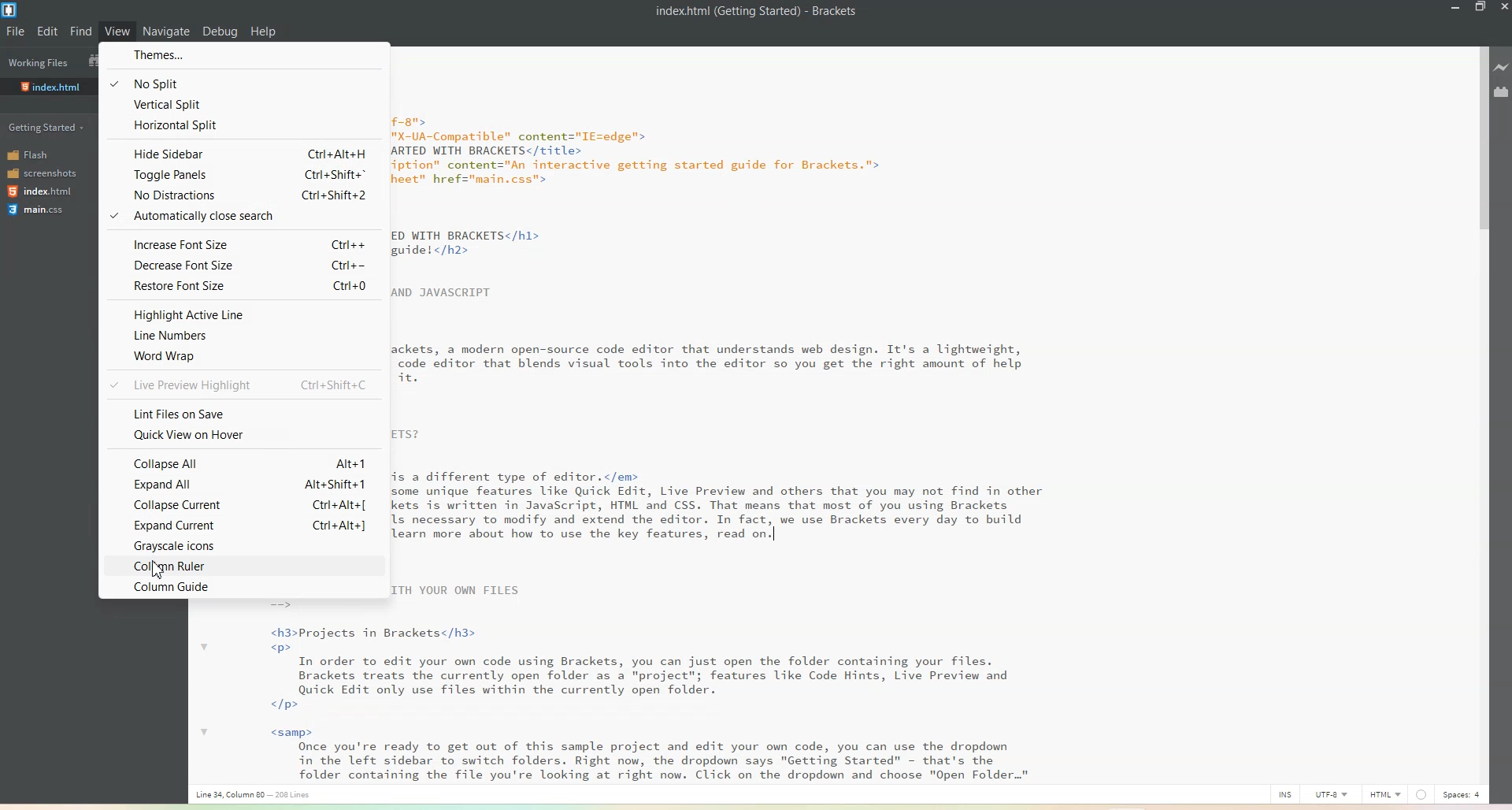 The image size is (1512, 810). I want to click on View, so click(117, 31).